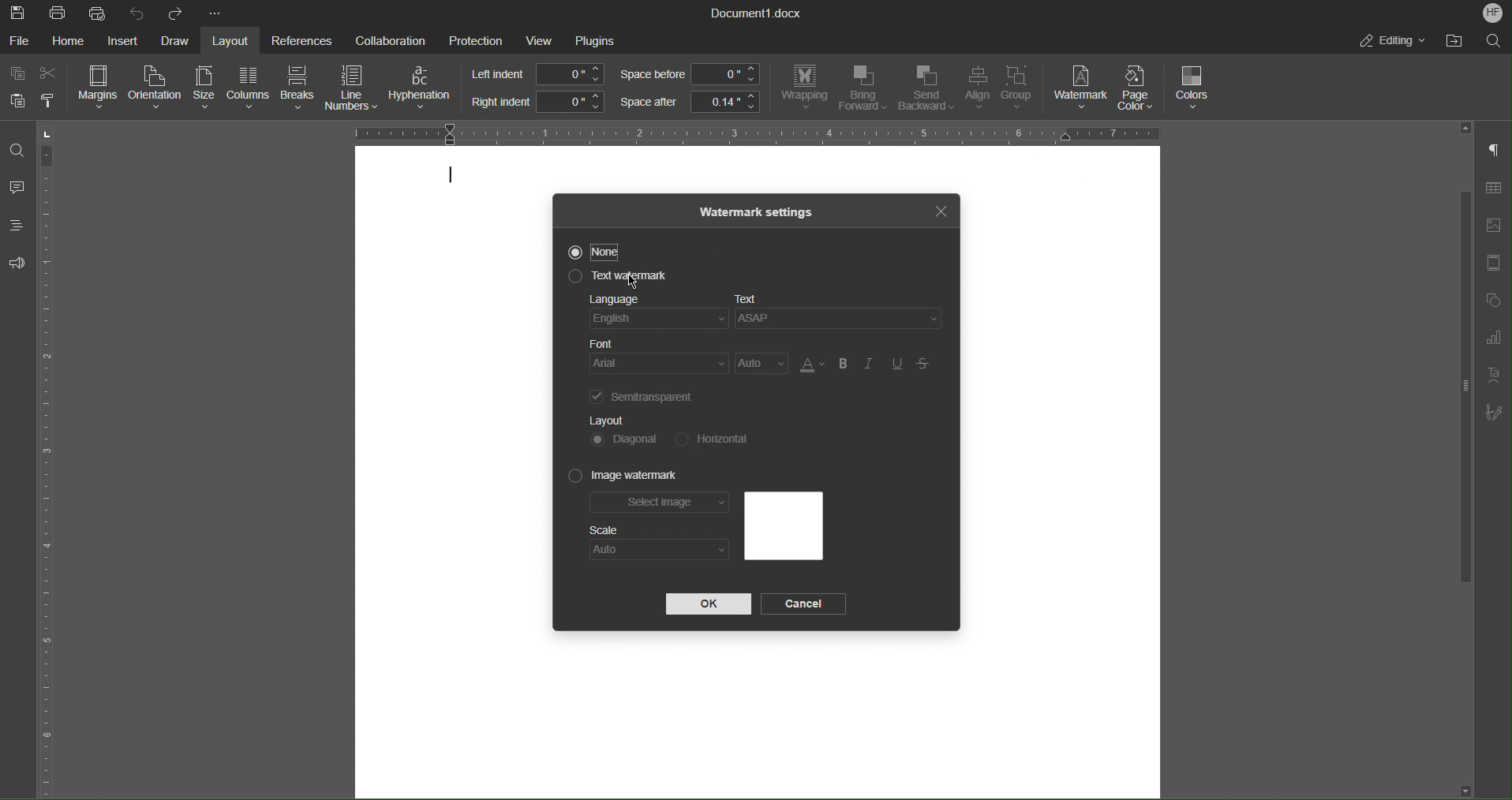 The height and width of the screenshot is (800, 1512). What do you see at coordinates (59, 13) in the screenshot?
I see `Print` at bounding box center [59, 13].